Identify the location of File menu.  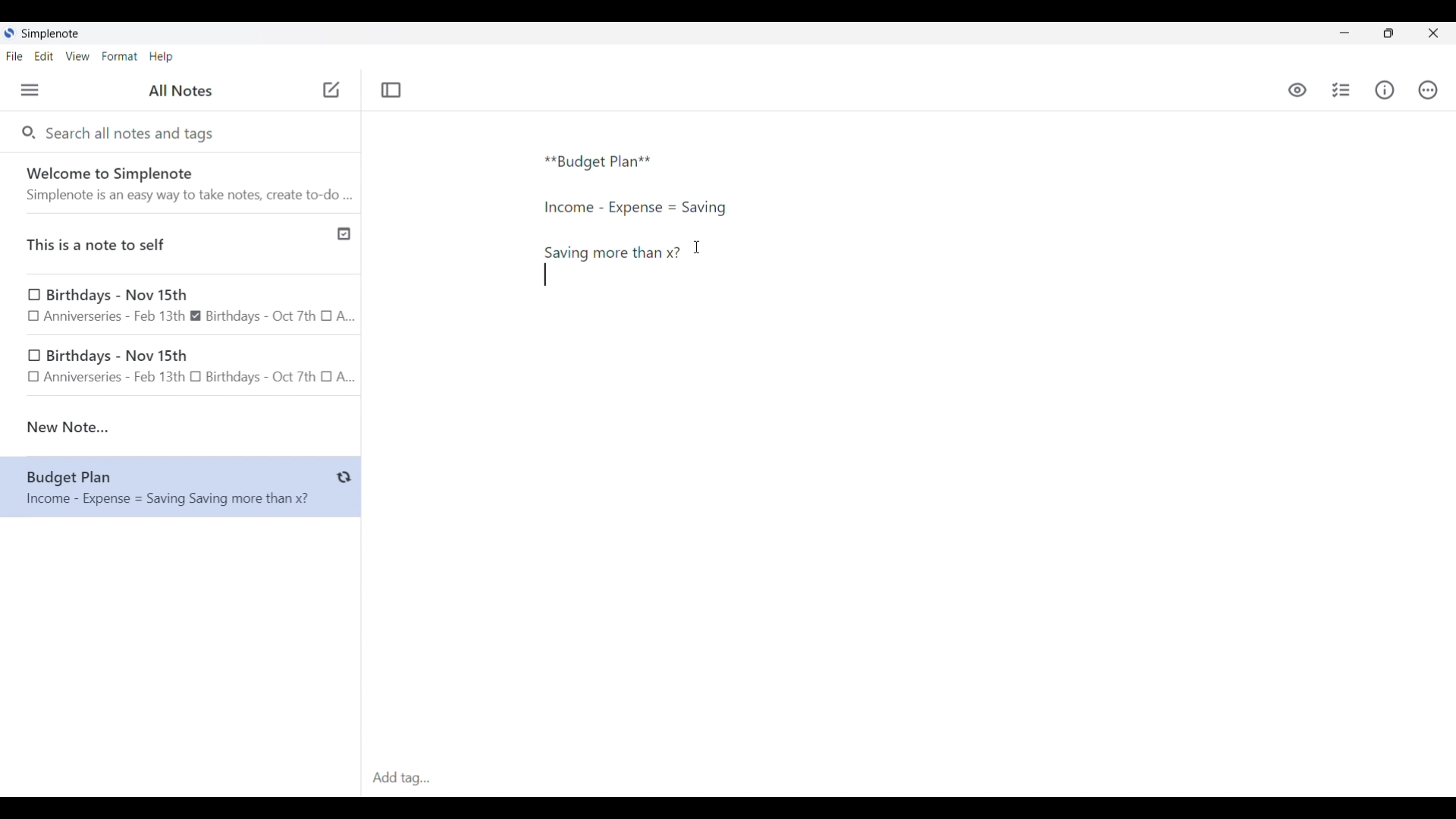
(14, 55).